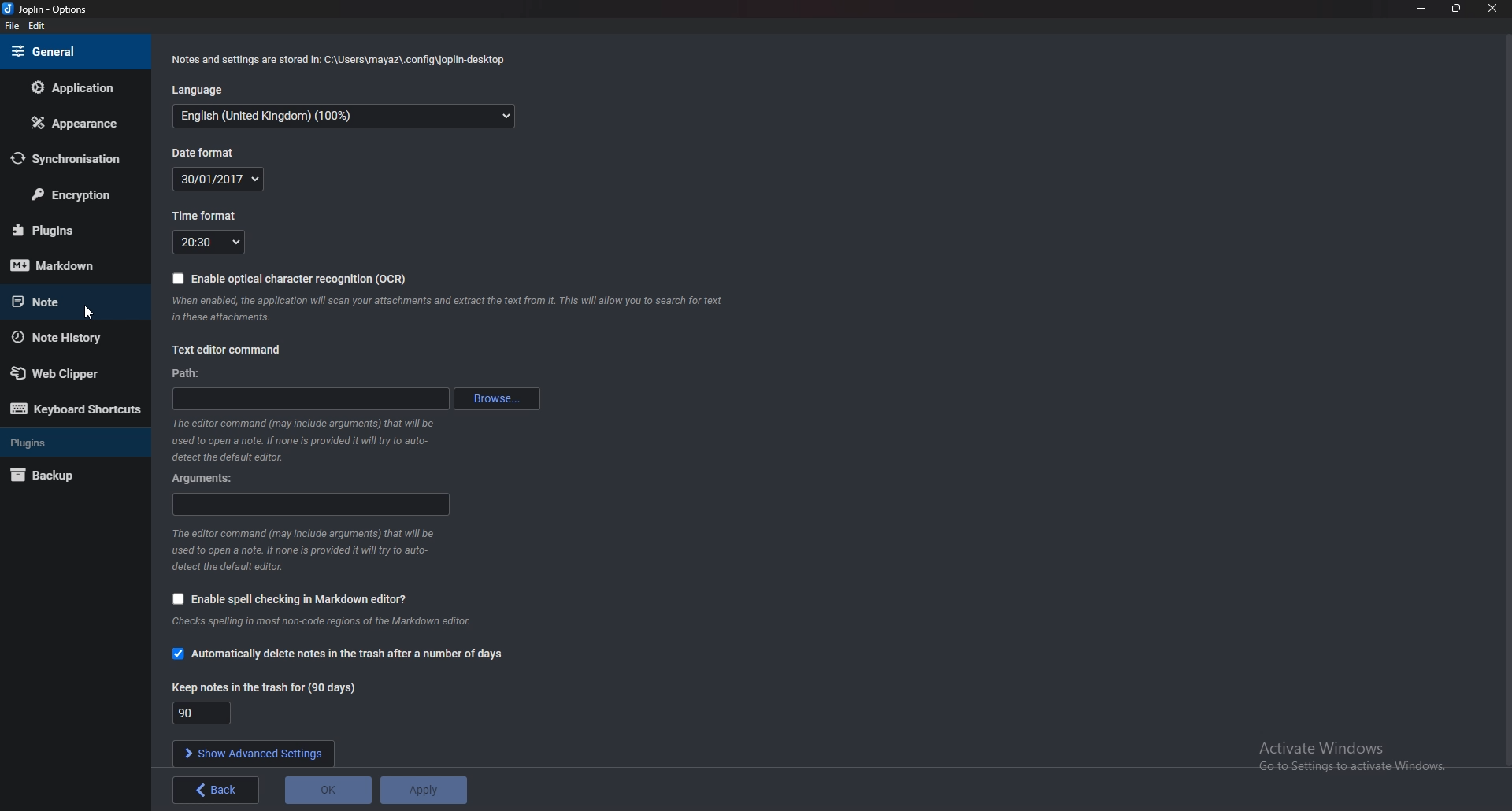 The image size is (1512, 811). I want to click on info, so click(312, 551).